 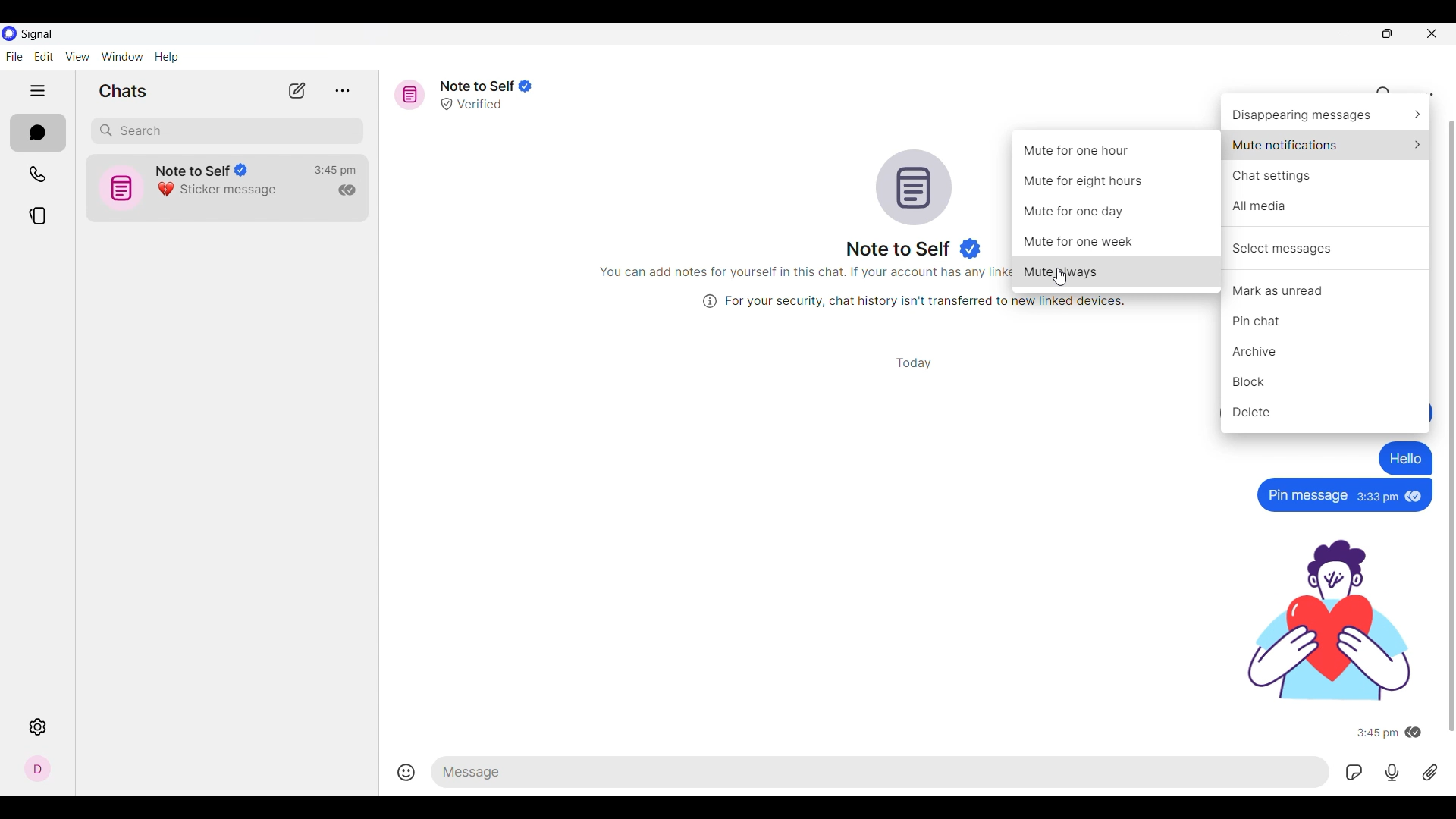 I want to click on Pin chat, so click(x=1325, y=320).